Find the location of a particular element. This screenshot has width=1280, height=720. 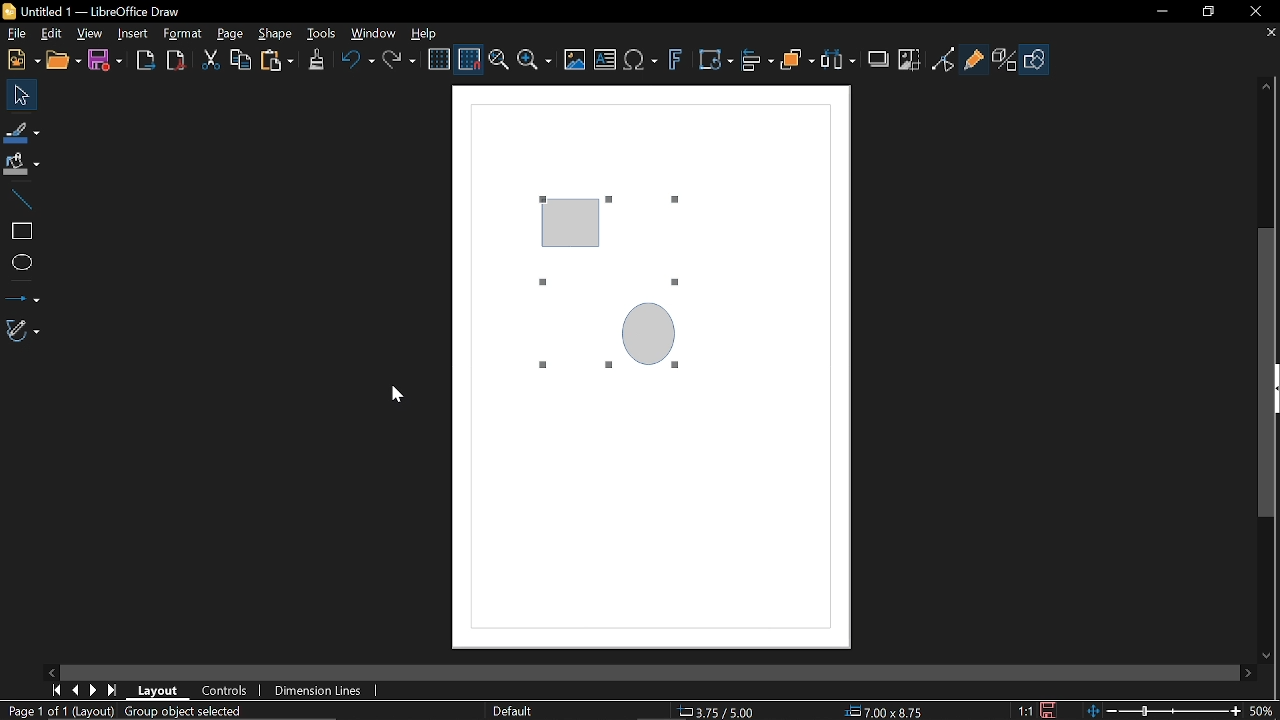

Restore down is located at coordinates (1206, 11).